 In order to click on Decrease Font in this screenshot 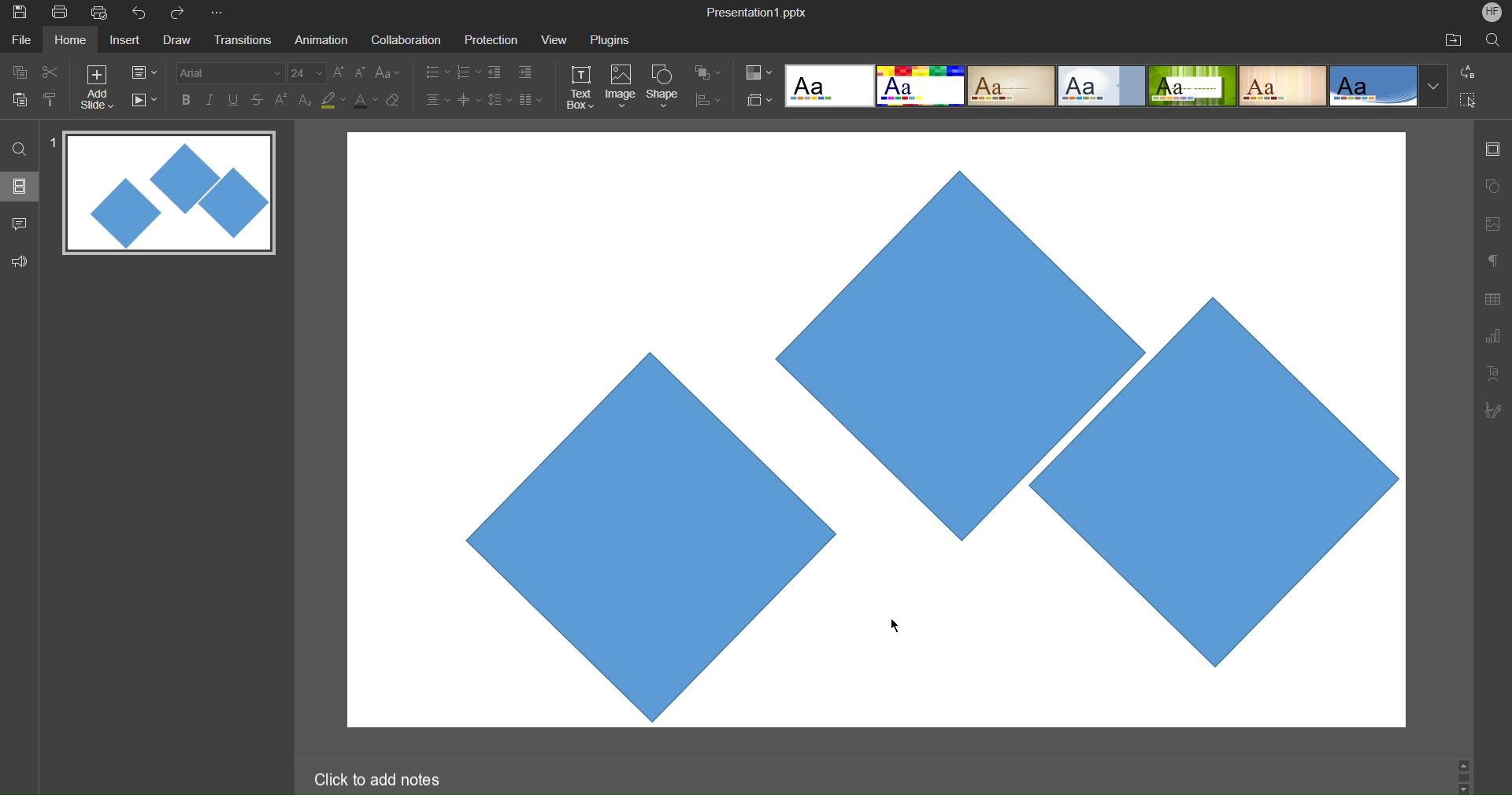, I will do `click(361, 72)`.